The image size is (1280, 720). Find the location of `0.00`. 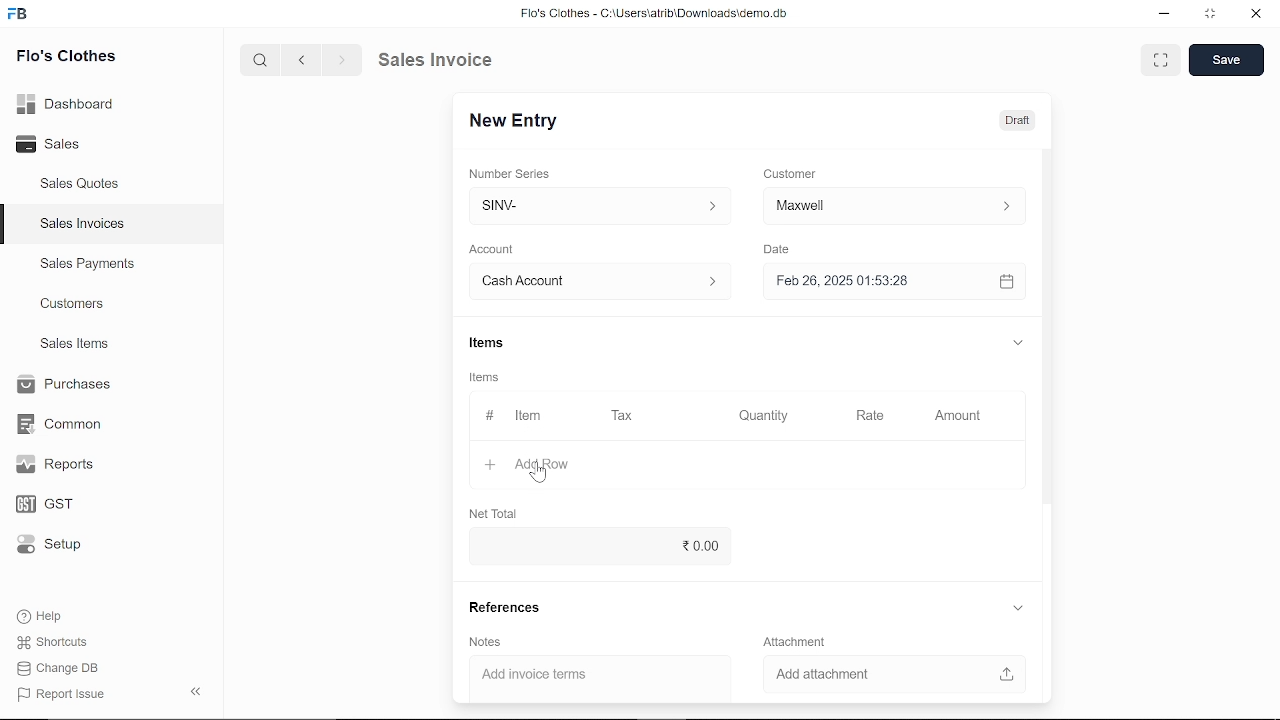

0.00 is located at coordinates (595, 545).